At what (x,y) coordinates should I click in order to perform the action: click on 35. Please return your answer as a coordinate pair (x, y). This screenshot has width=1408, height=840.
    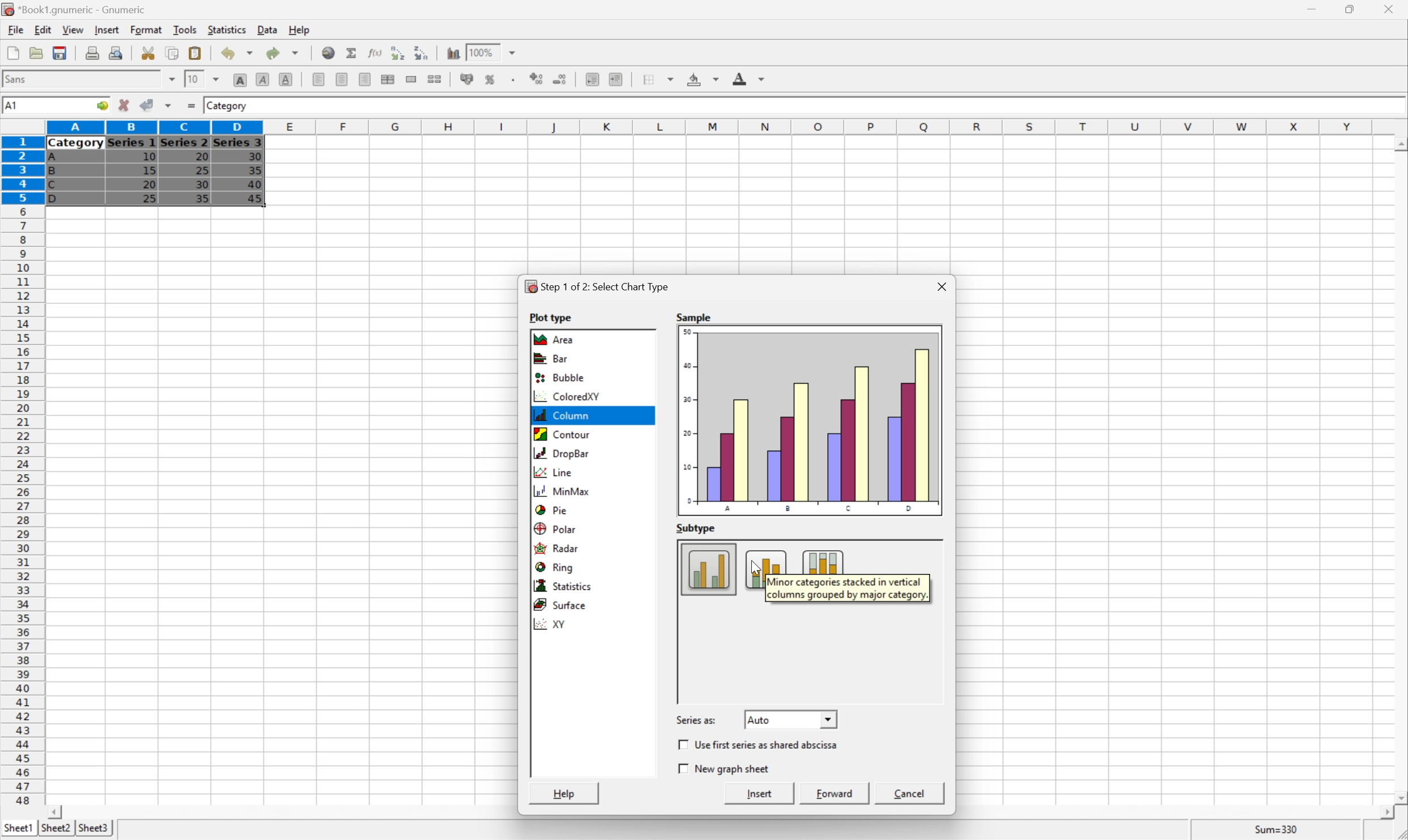
    Looking at the image, I should click on (202, 198).